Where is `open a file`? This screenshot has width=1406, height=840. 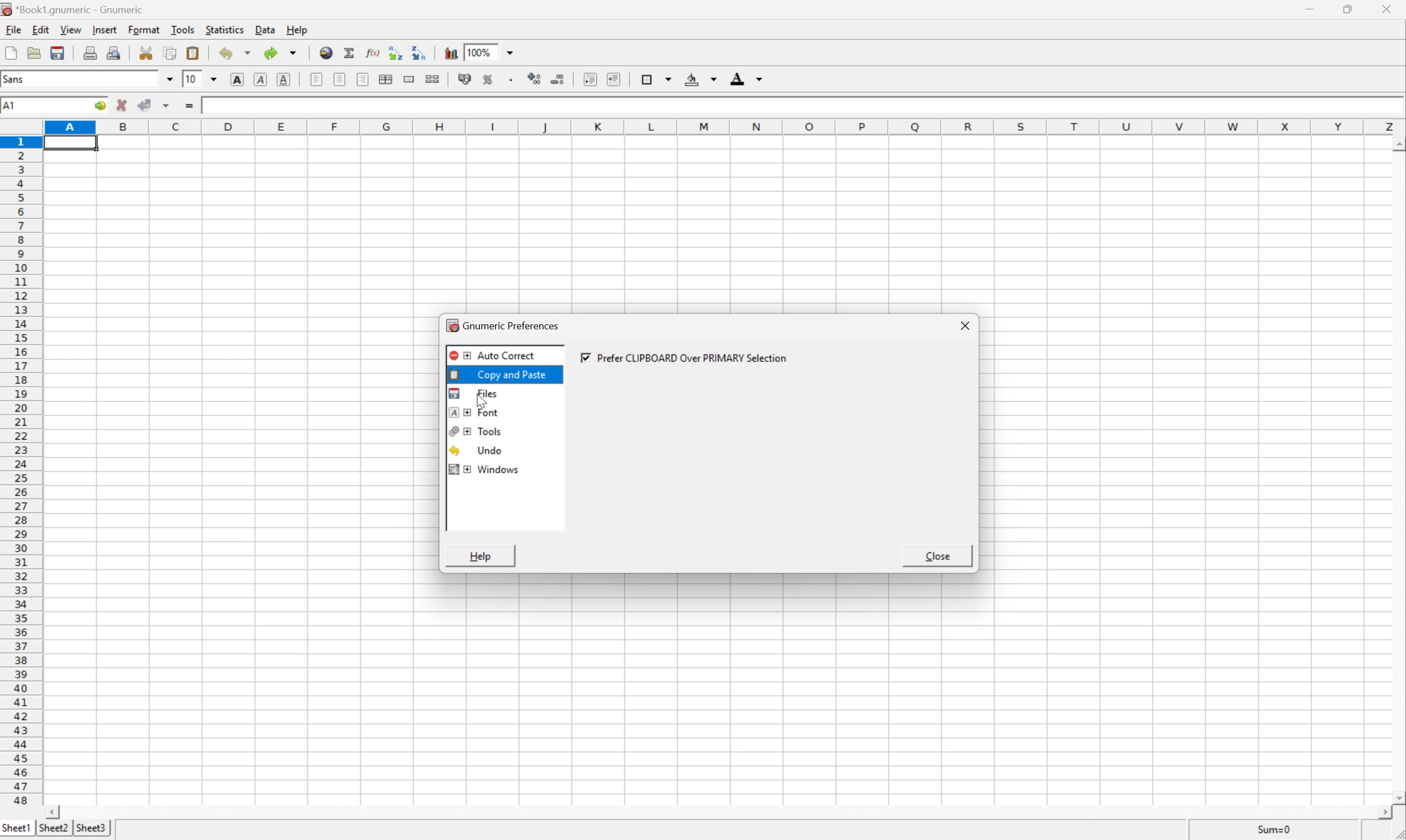
open a file is located at coordinates (35, 52).